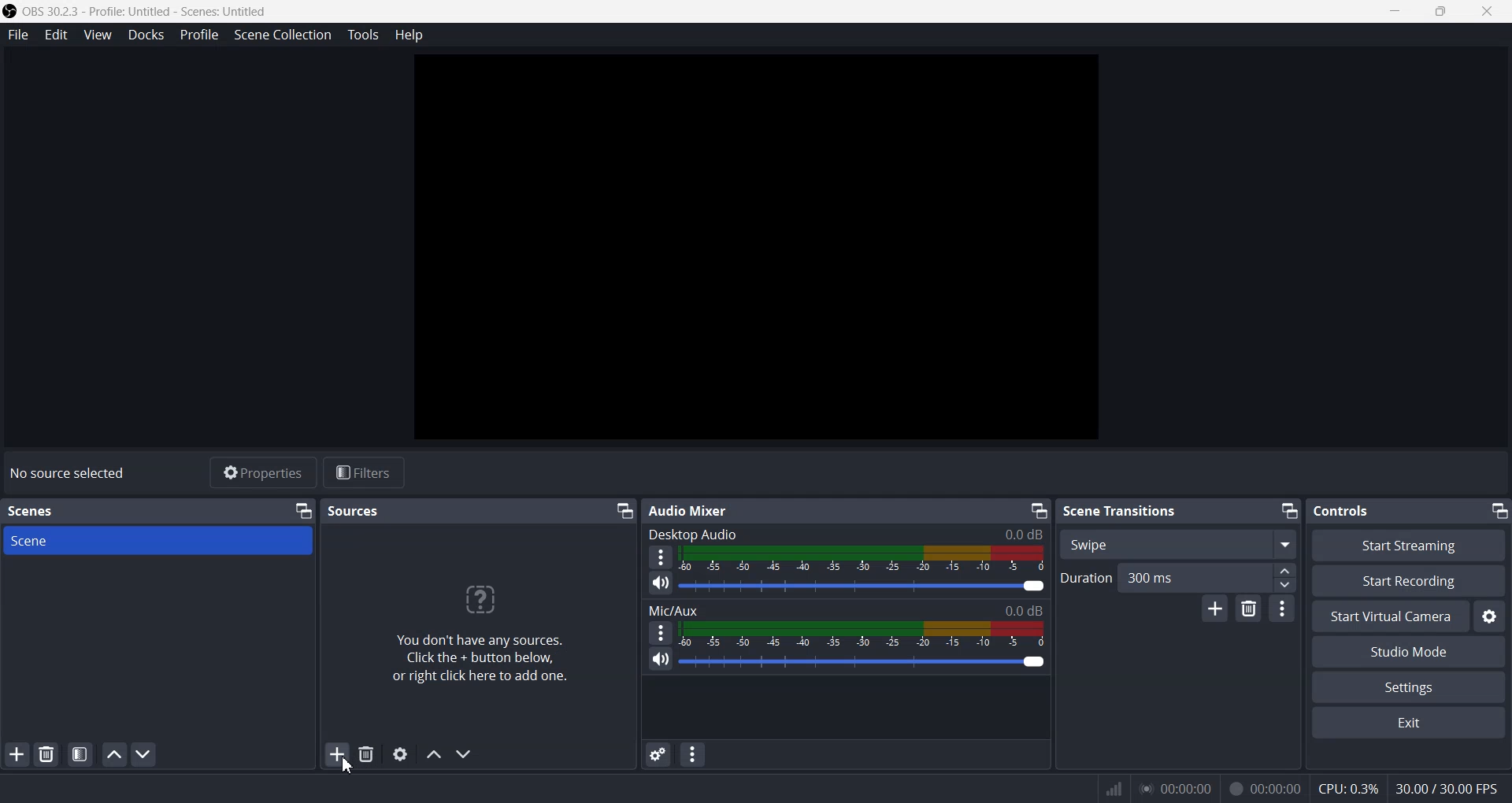 The height and width of the screenshot is (803, 1512). What do you see at coordinates (57, 35) in the screenshot?
I see `Edit` at bounding box center [57, 35].